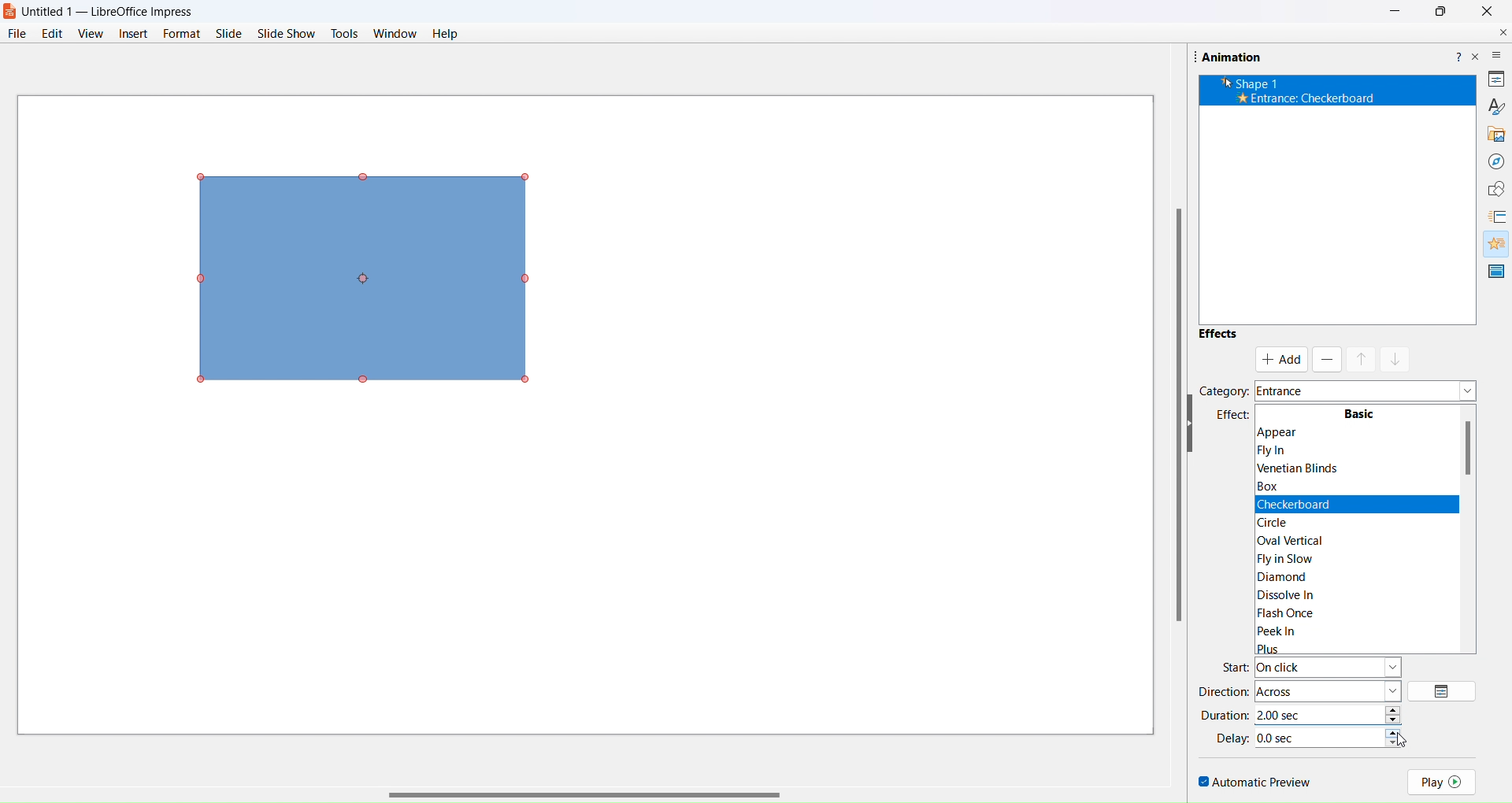 The image size is (1512, 803). What do you see at coordinates (1320, 735) in the screenshot?
I see `time` at bounding box center [1320, 735].